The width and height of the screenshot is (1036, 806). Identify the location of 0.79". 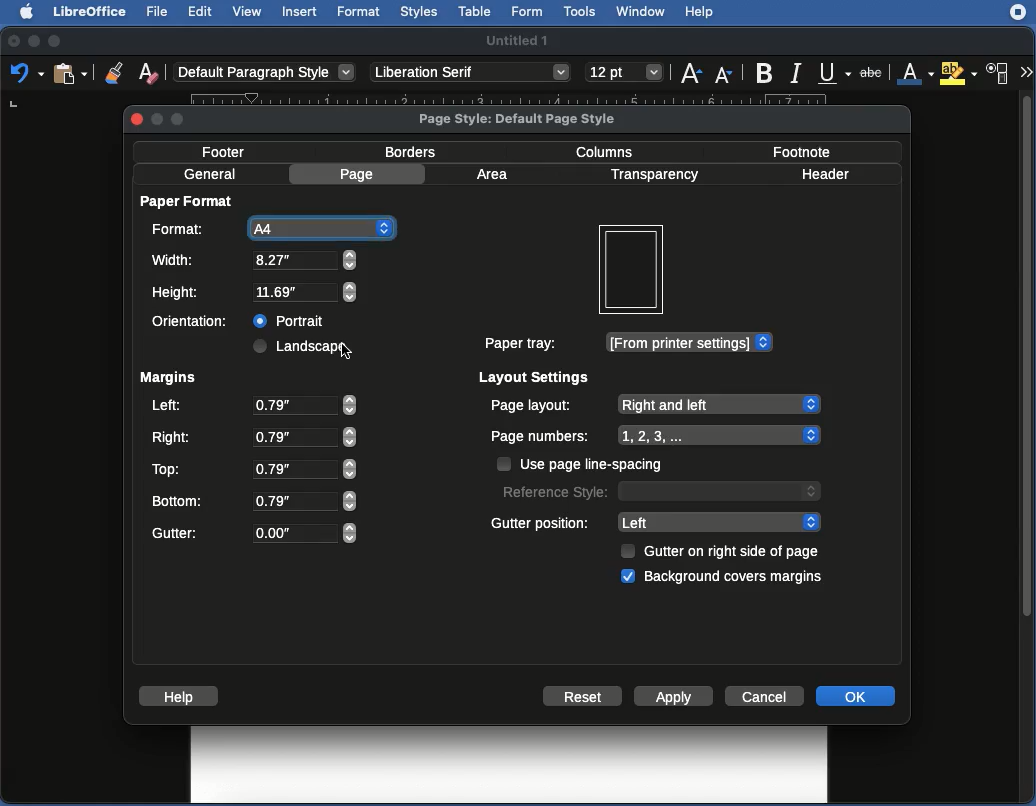
(305, 470).